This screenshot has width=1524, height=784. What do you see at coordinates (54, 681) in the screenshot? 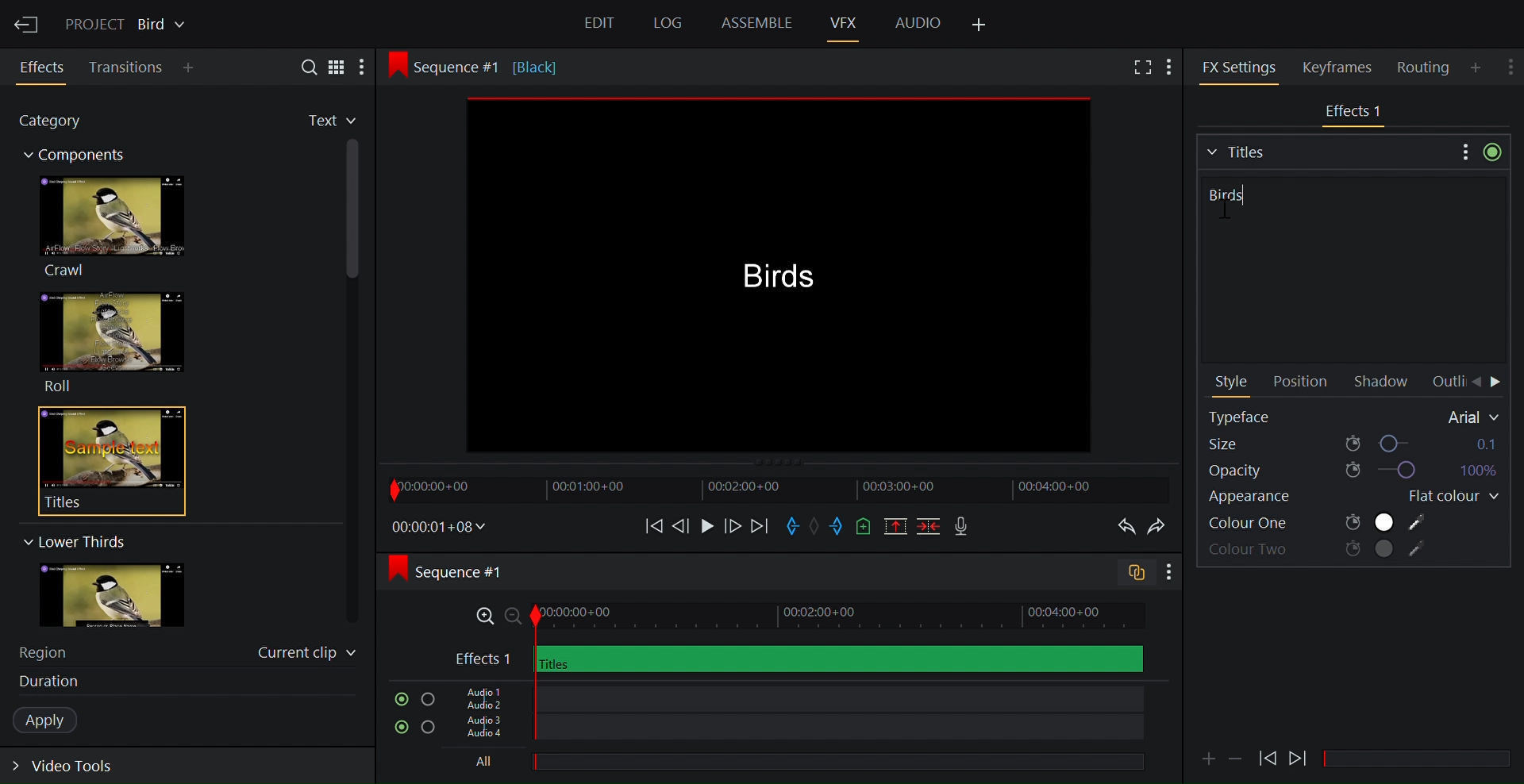
I see `` at bounding box center [54, 681].